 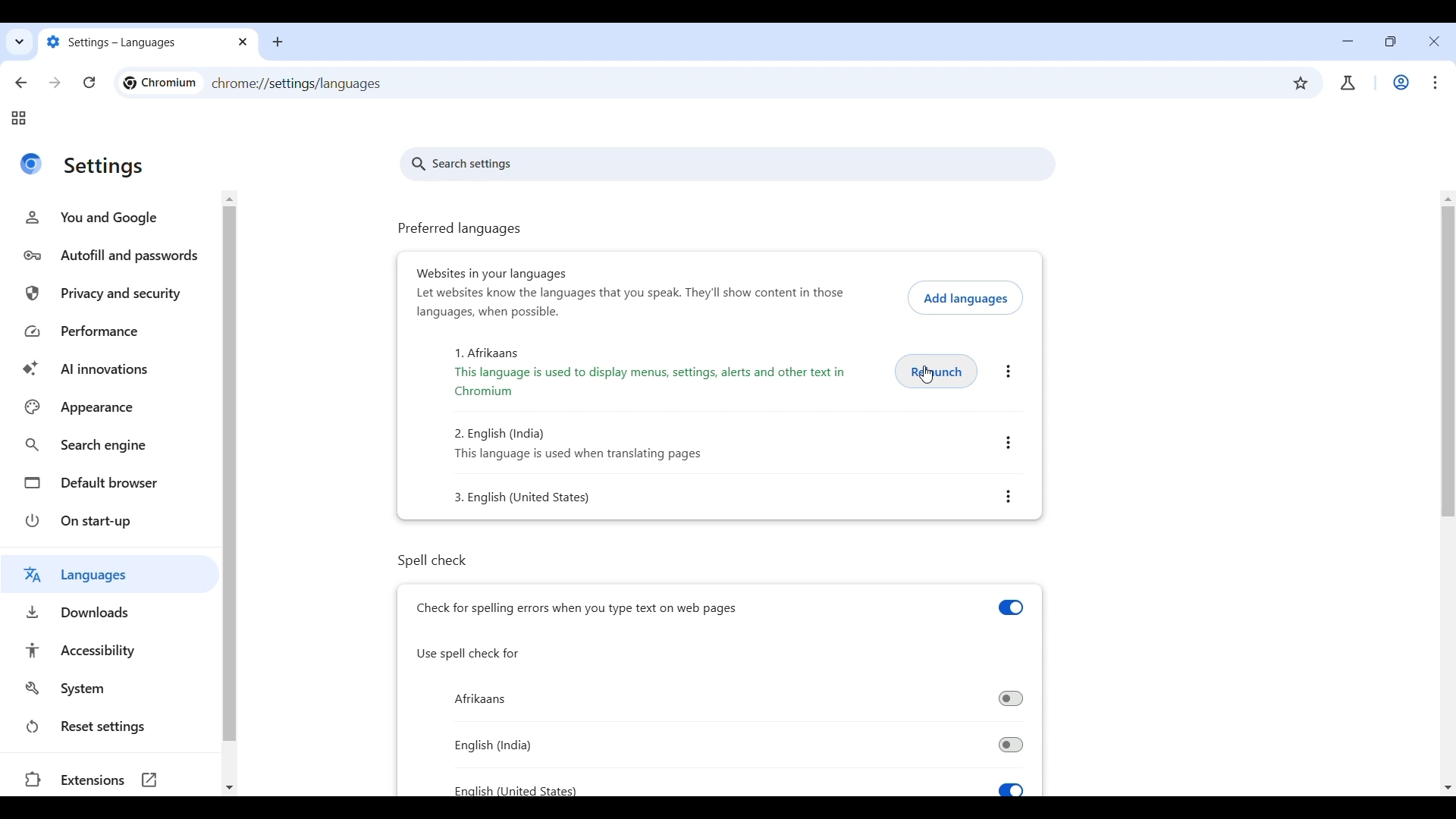 What do you see at coordinates (89, 83) in the screenshot?
I see `Reload page` at bounding box center [89, 83].